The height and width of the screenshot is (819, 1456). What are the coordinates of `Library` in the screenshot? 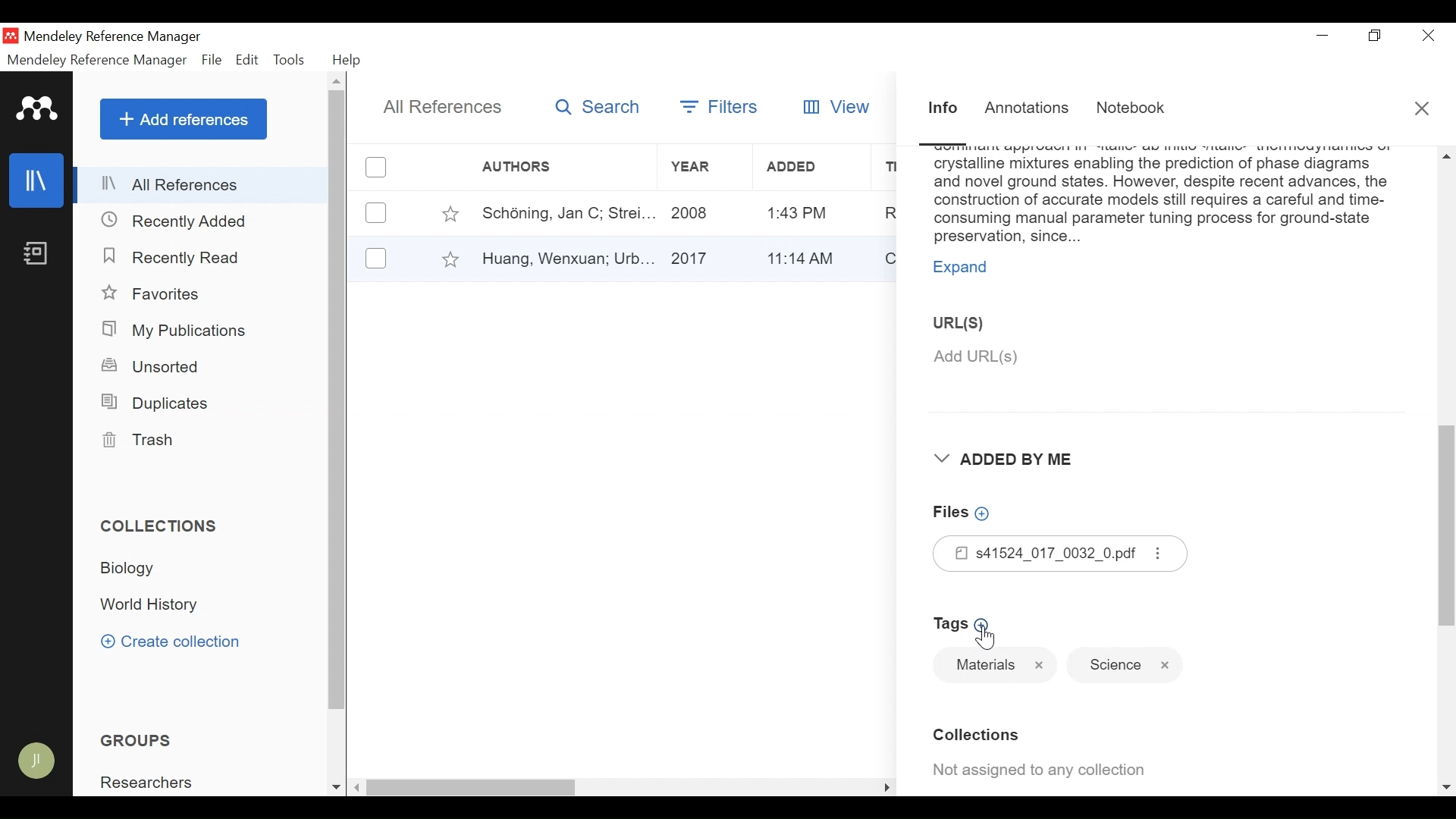 It's located at (37, 180).